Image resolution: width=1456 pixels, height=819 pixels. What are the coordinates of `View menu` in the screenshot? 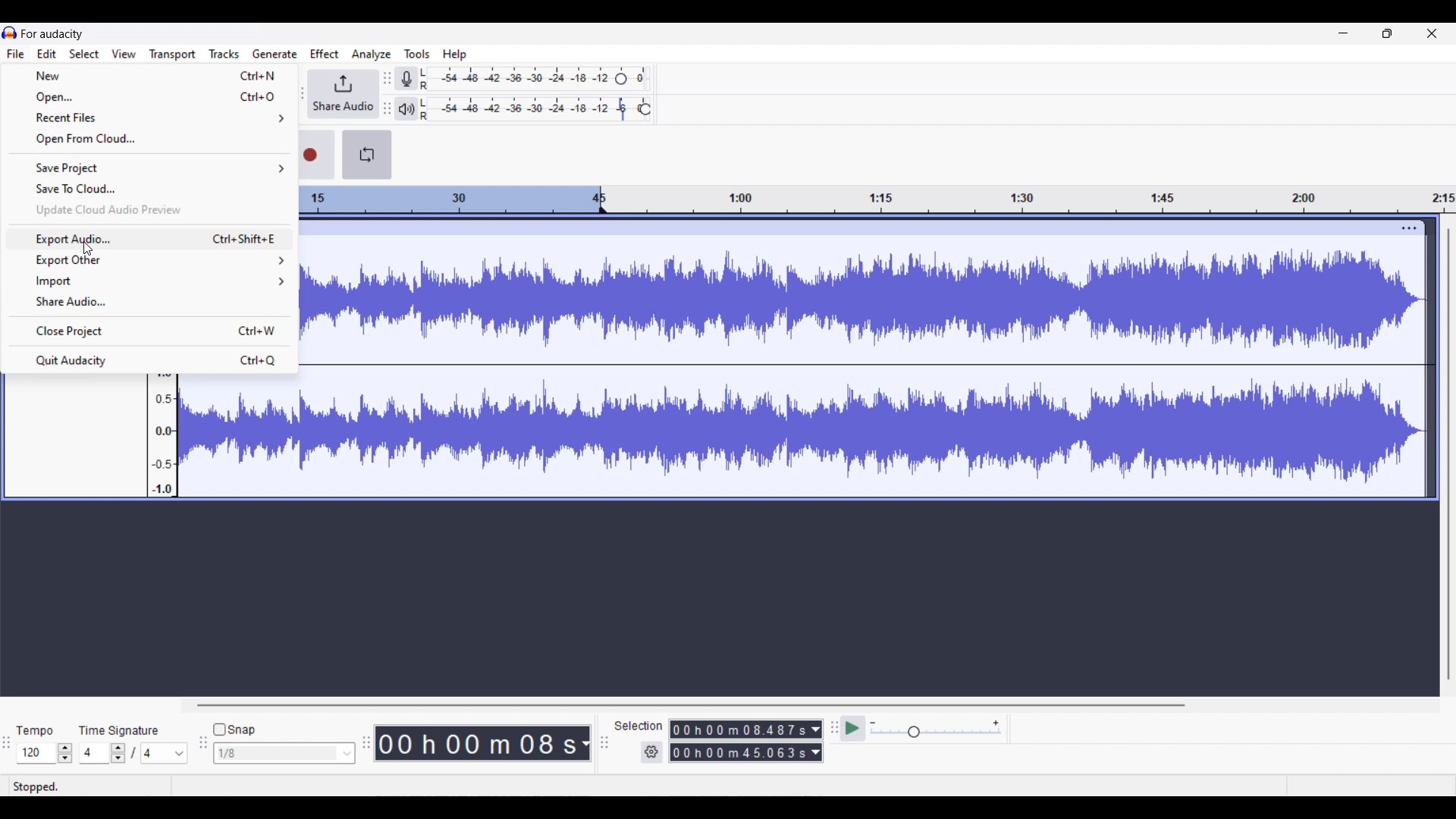 It's located at (124, 54).